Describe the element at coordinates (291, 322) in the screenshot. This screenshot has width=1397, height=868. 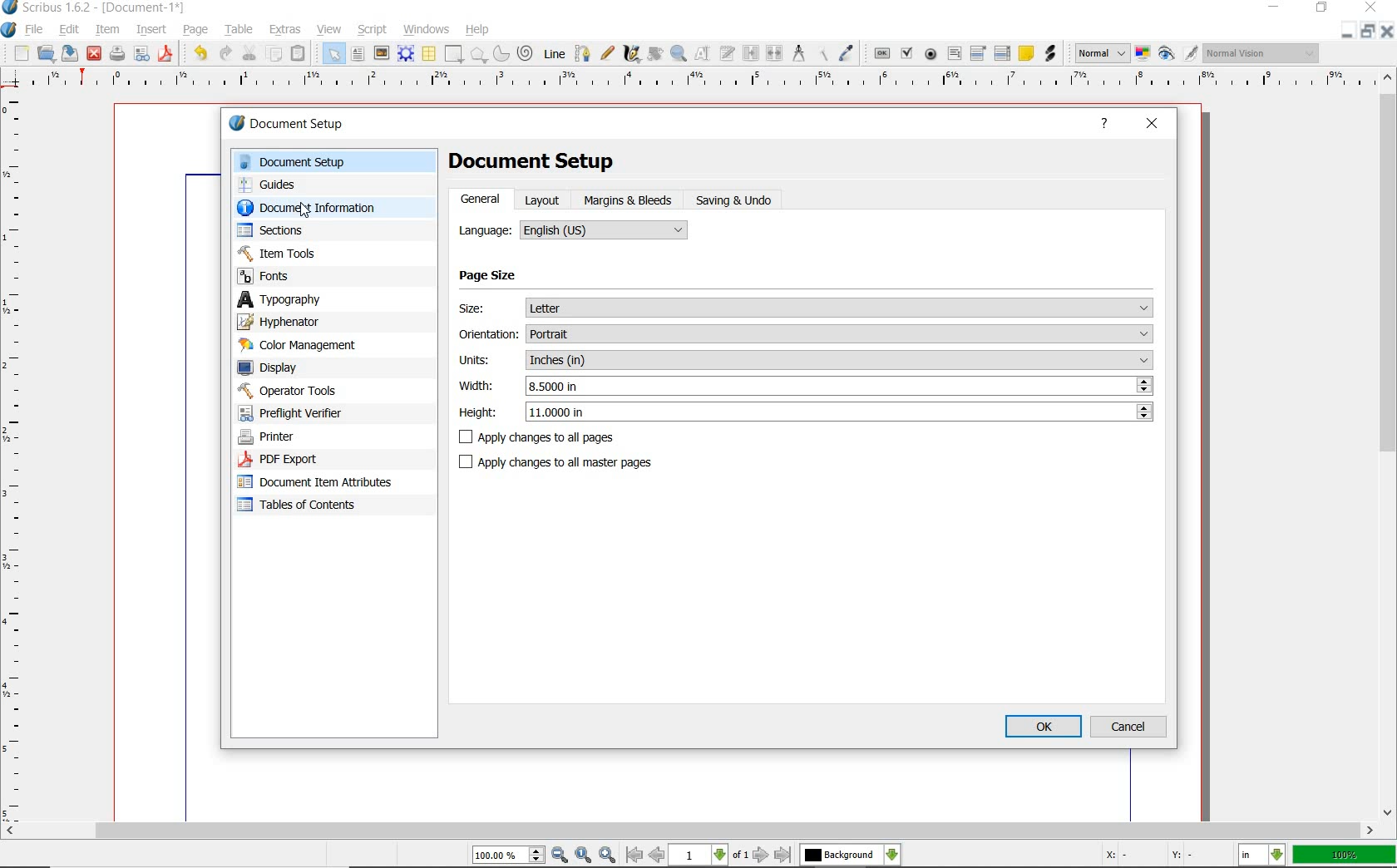
I see `hypenator` at that location.